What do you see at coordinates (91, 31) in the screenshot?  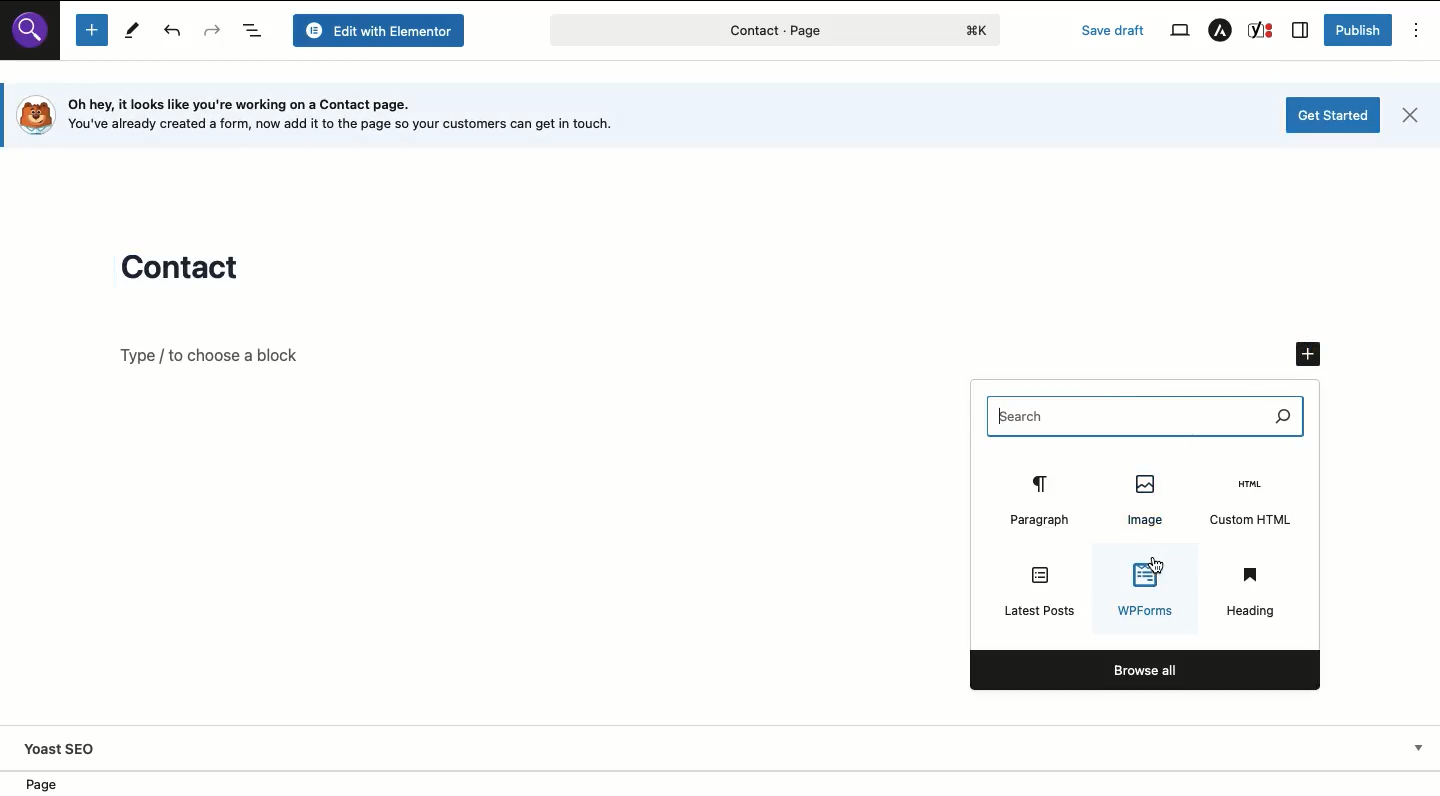 I see `Add new block` at bounding box center [91, 31].